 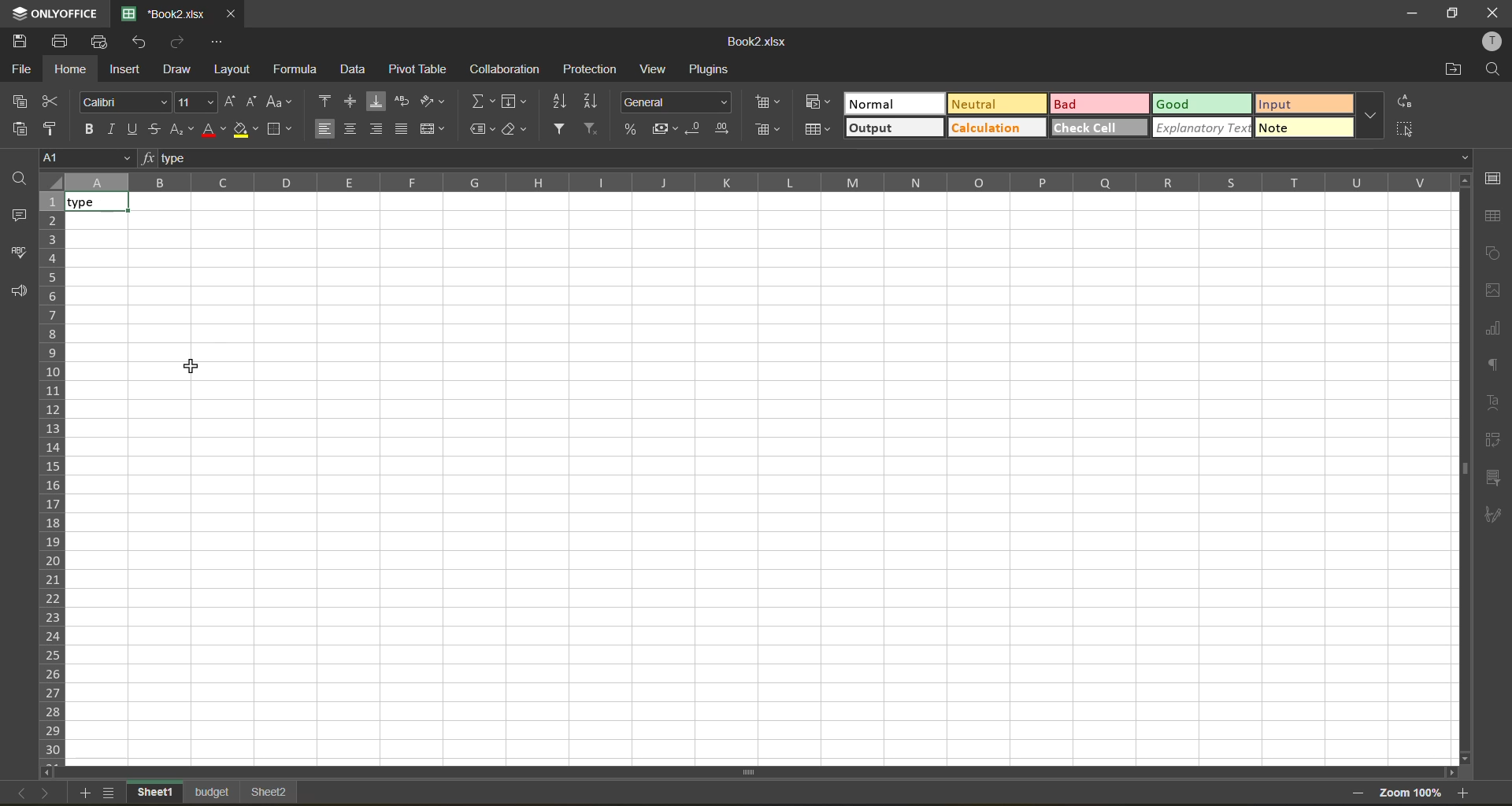 I want to click on file name, so click(x=169, y=13).